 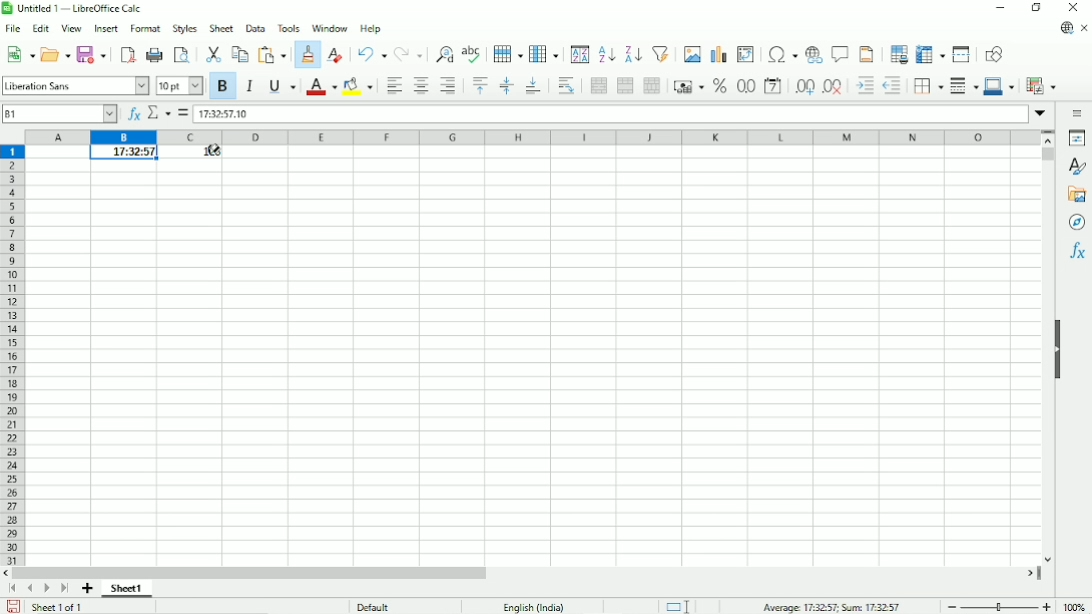 What do you see at coordinates (81, 8) in the screenshot?
I see `Untitled 1 — LibreOffice Calc` at bounding box center [81, 8].